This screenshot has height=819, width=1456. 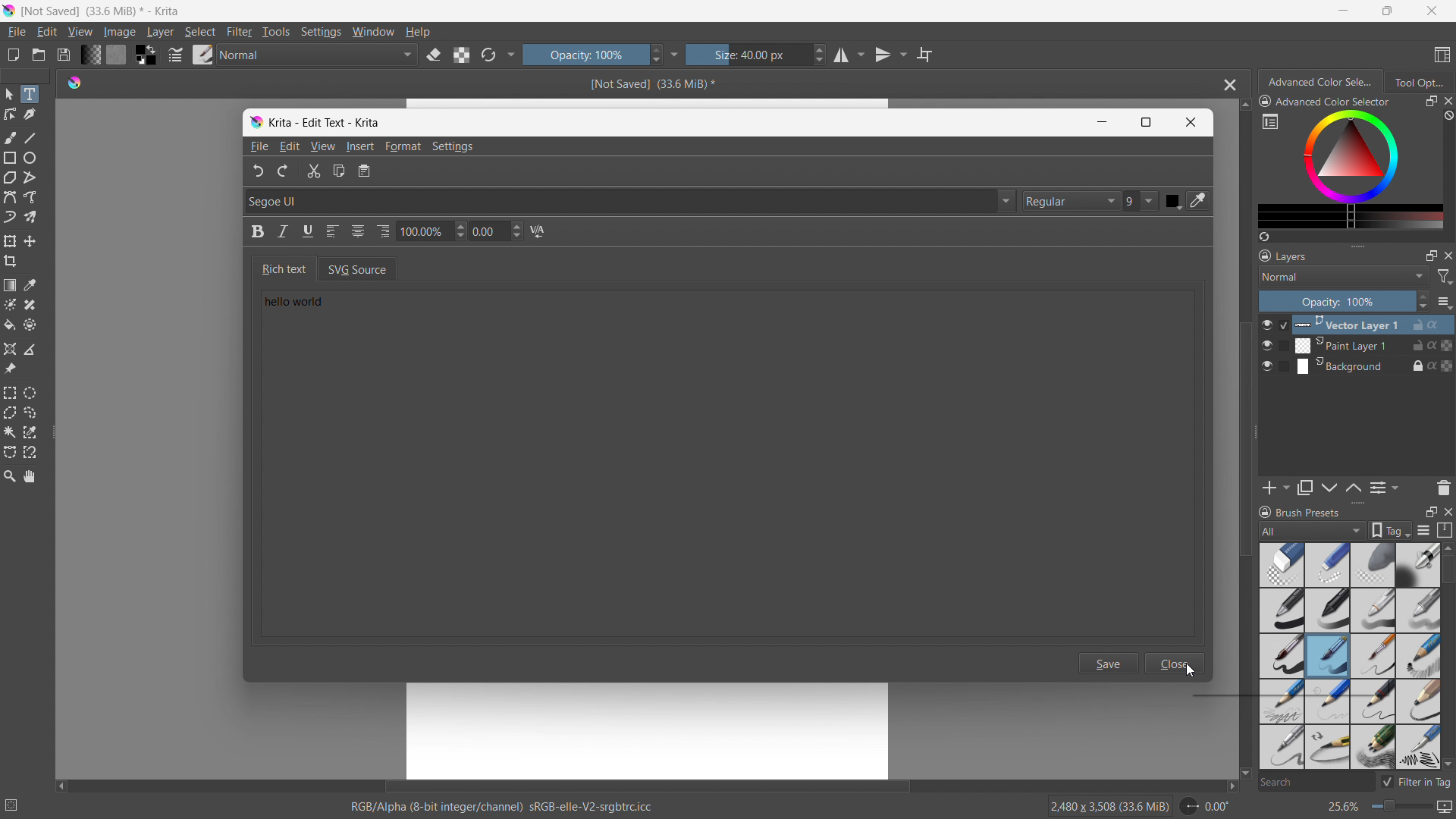 I want to click on more settings, so click(x=512, y=53).